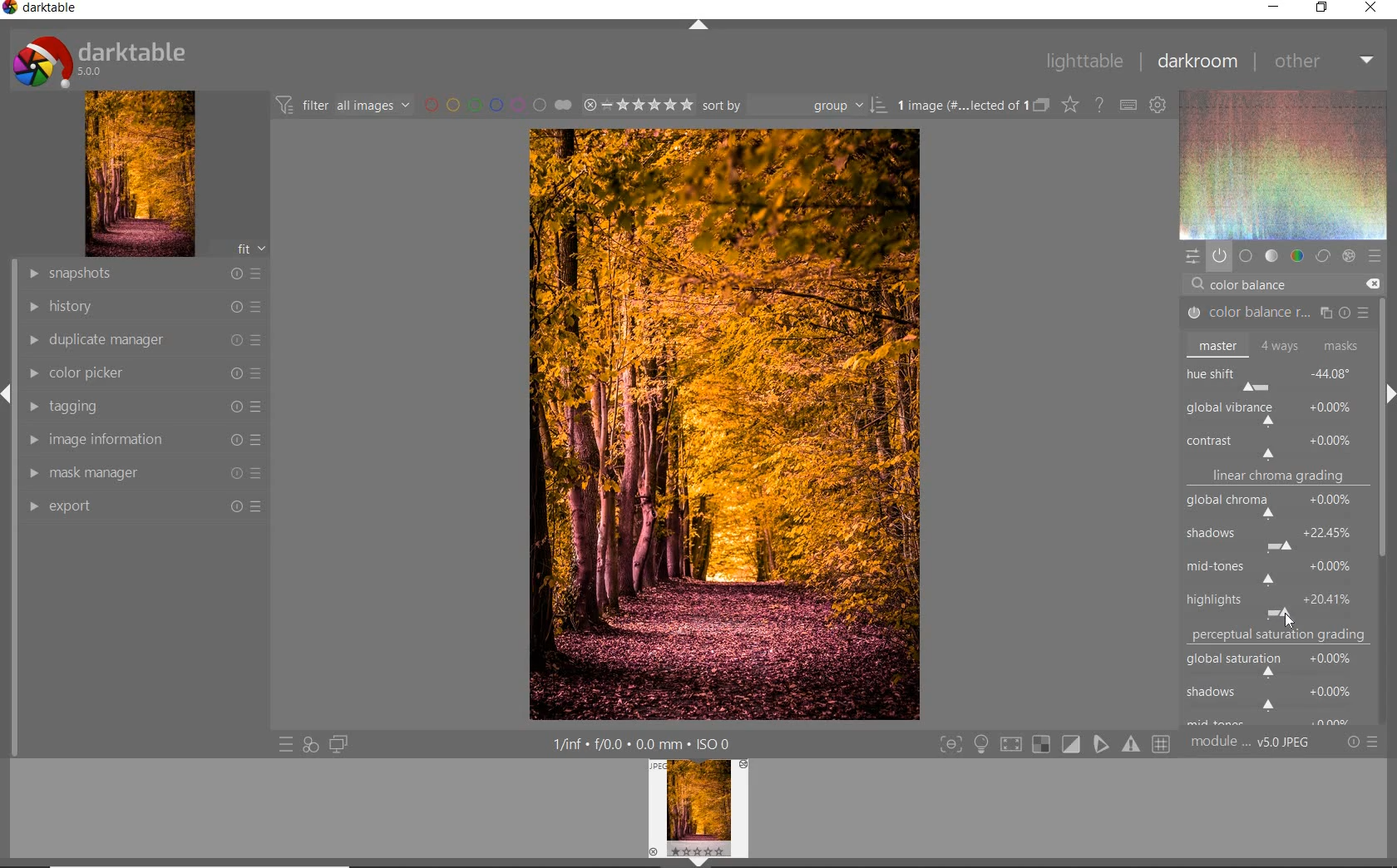  Describe the element at coordinates (144, 374) in the screenshot. I see `color picker` at that location.